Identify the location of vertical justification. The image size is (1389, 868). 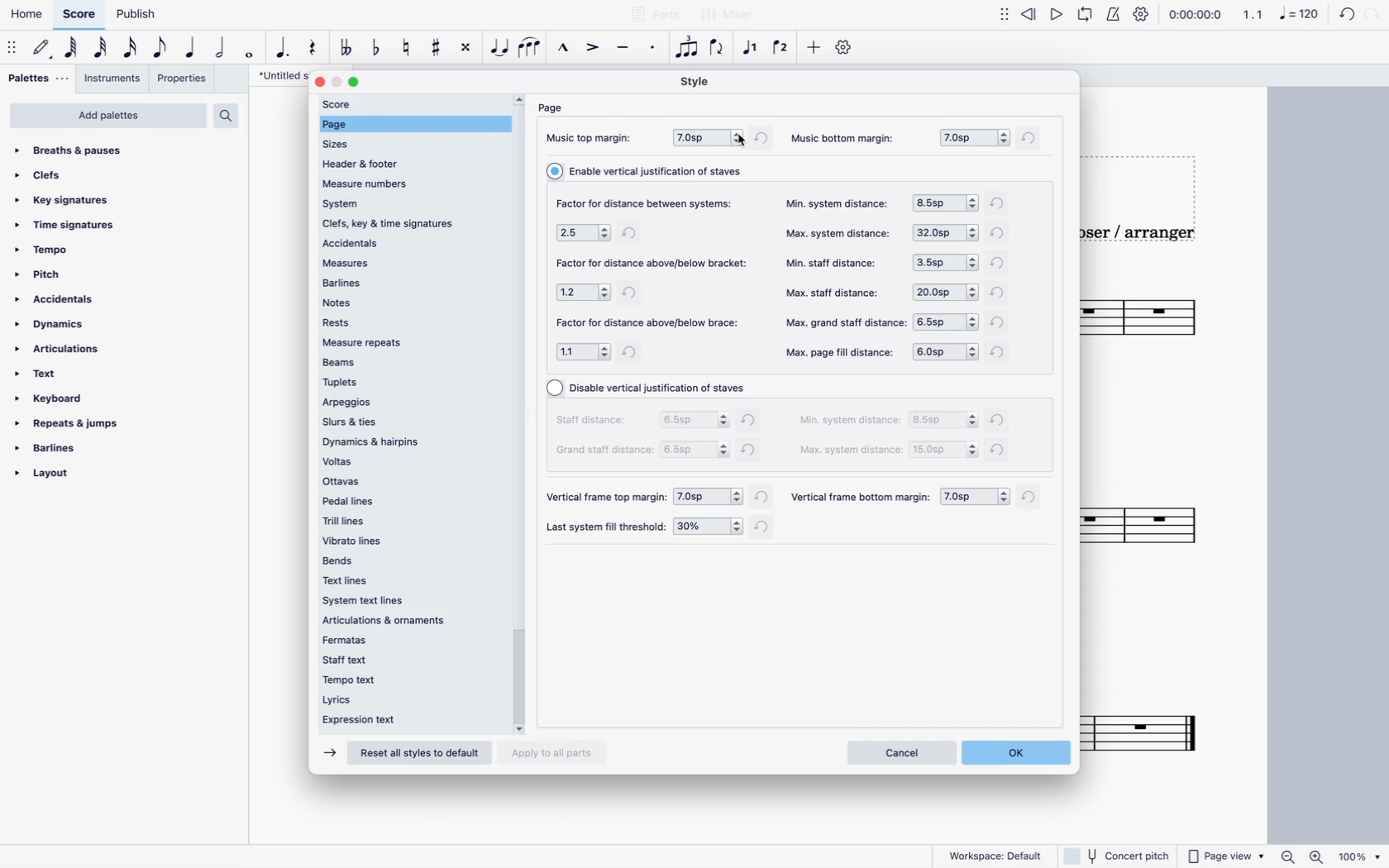
(652, 170).